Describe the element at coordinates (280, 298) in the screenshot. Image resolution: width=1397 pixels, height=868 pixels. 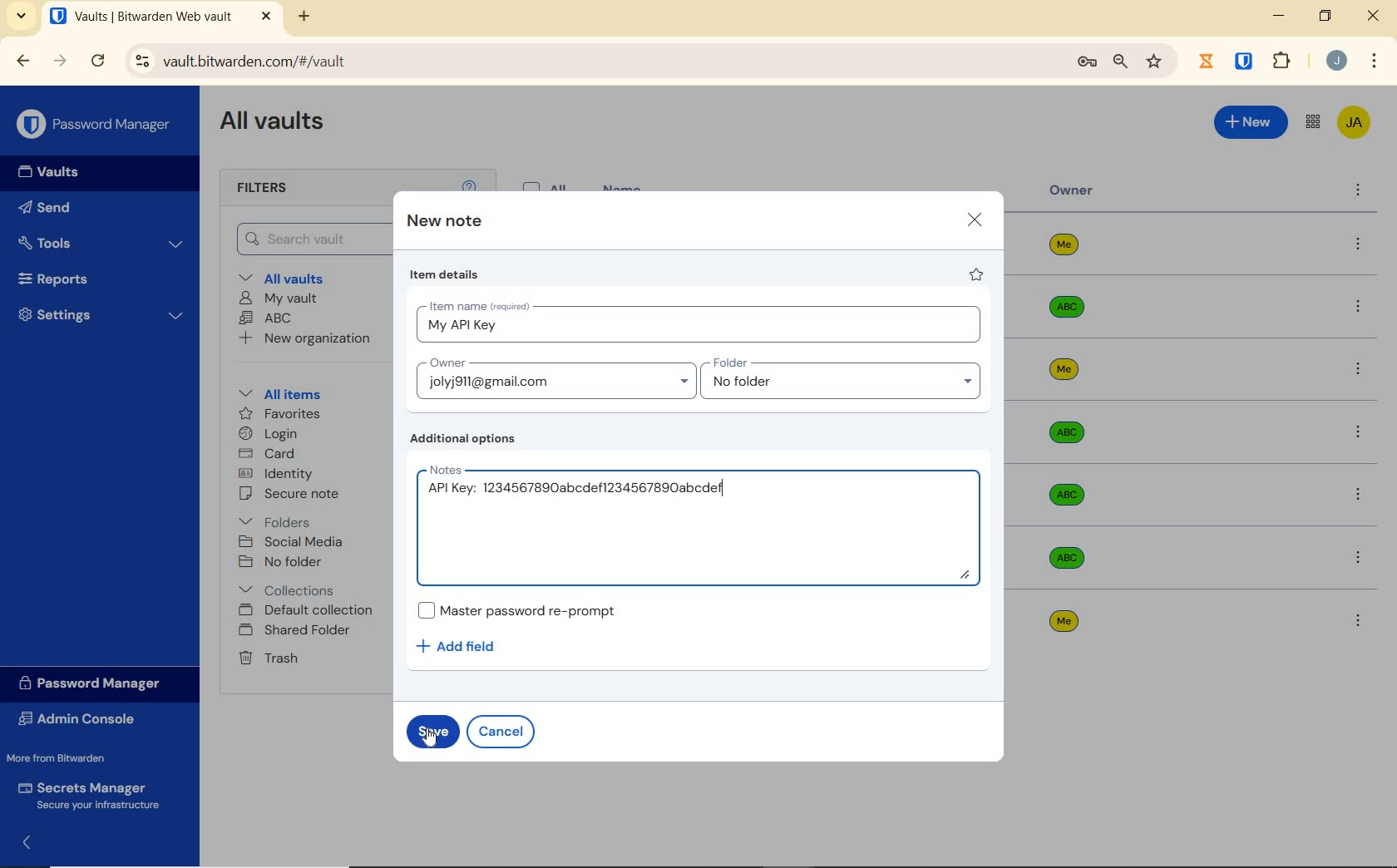
I see `My Vault` at that location.